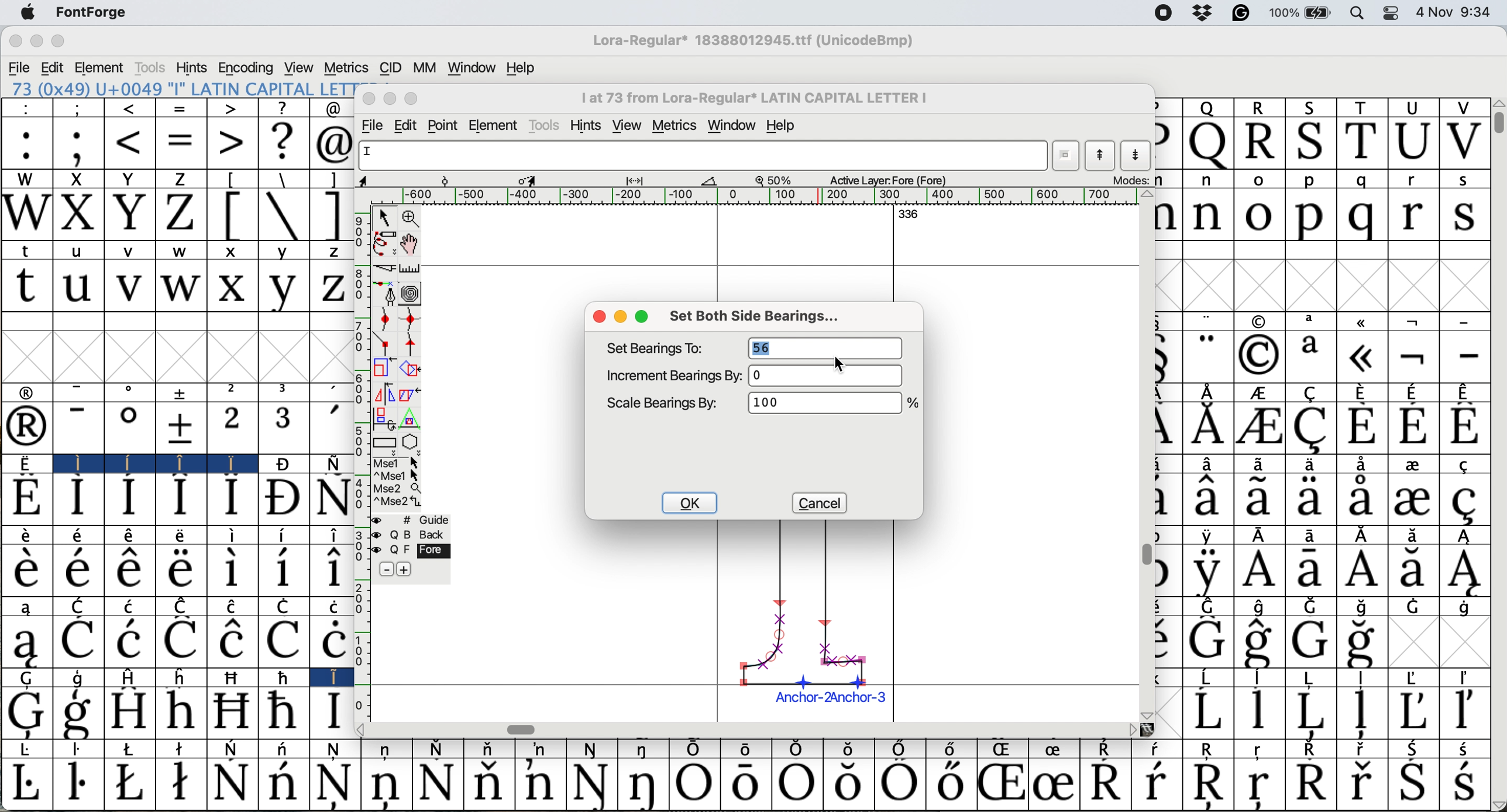 The image size is (1507, 812). I want to click on Symbol, so click(180, 712).